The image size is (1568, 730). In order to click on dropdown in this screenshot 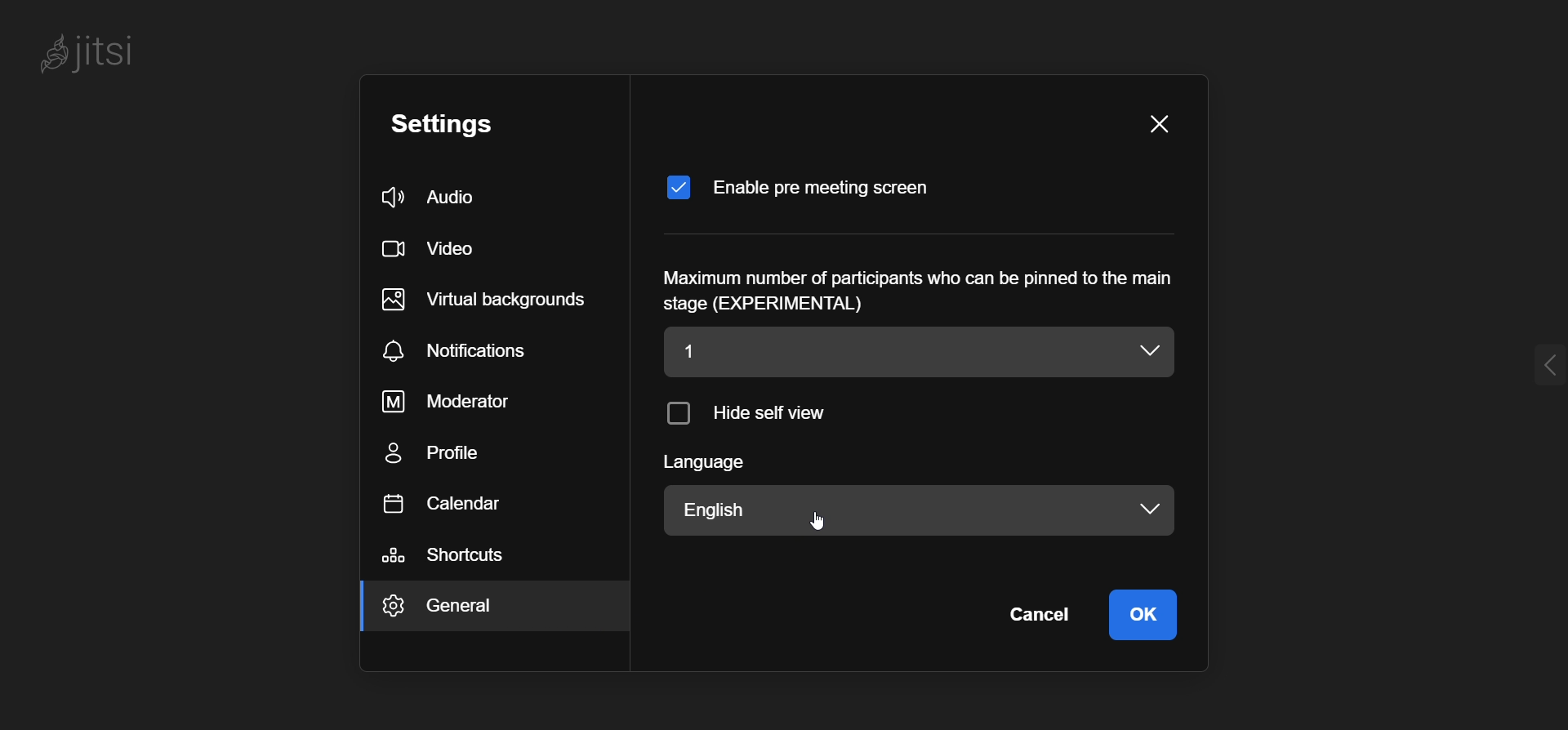, I will do `click(1147, 349)`.